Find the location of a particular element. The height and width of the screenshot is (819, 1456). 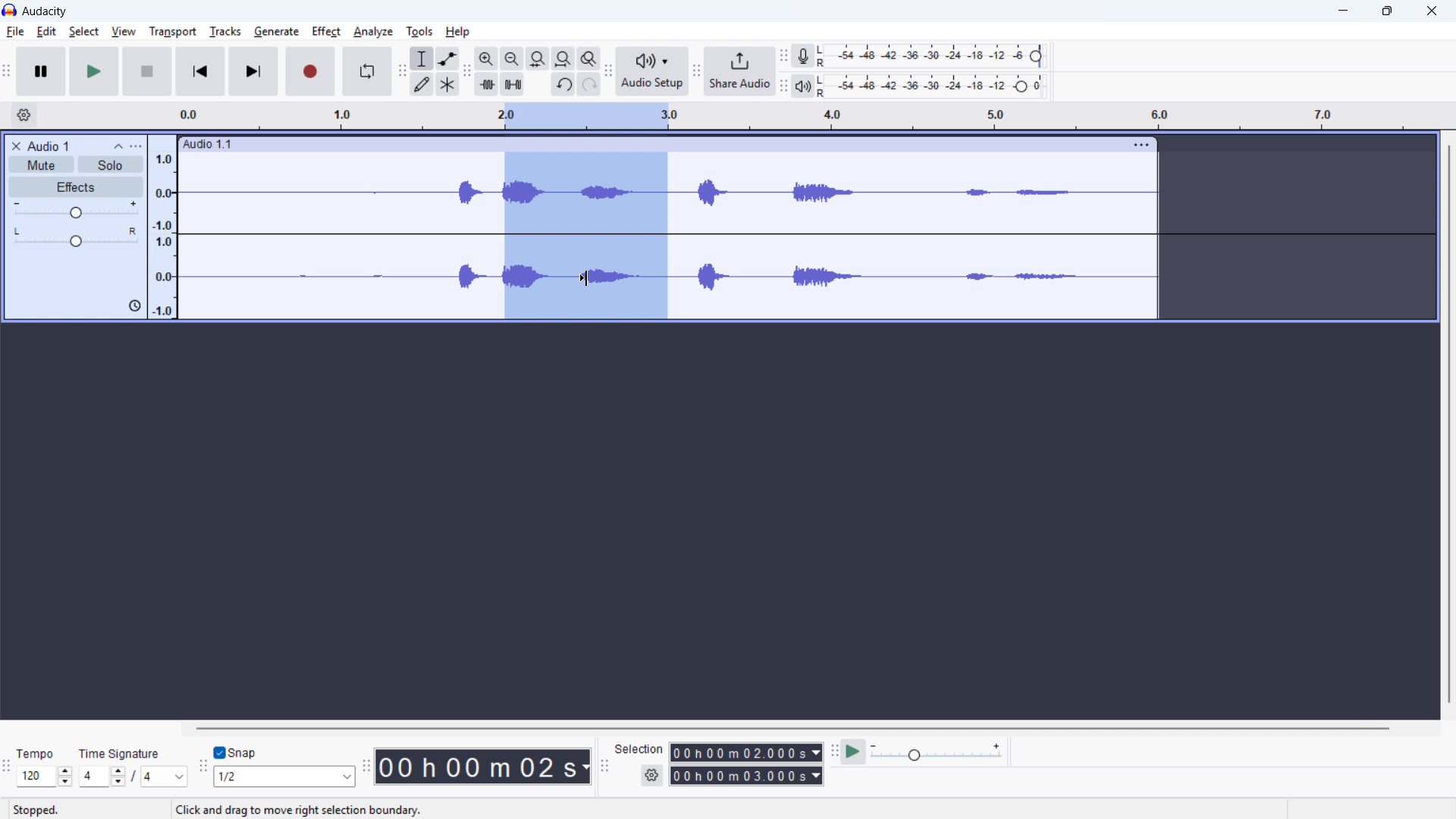

icon is located at coordinates (132, 307).